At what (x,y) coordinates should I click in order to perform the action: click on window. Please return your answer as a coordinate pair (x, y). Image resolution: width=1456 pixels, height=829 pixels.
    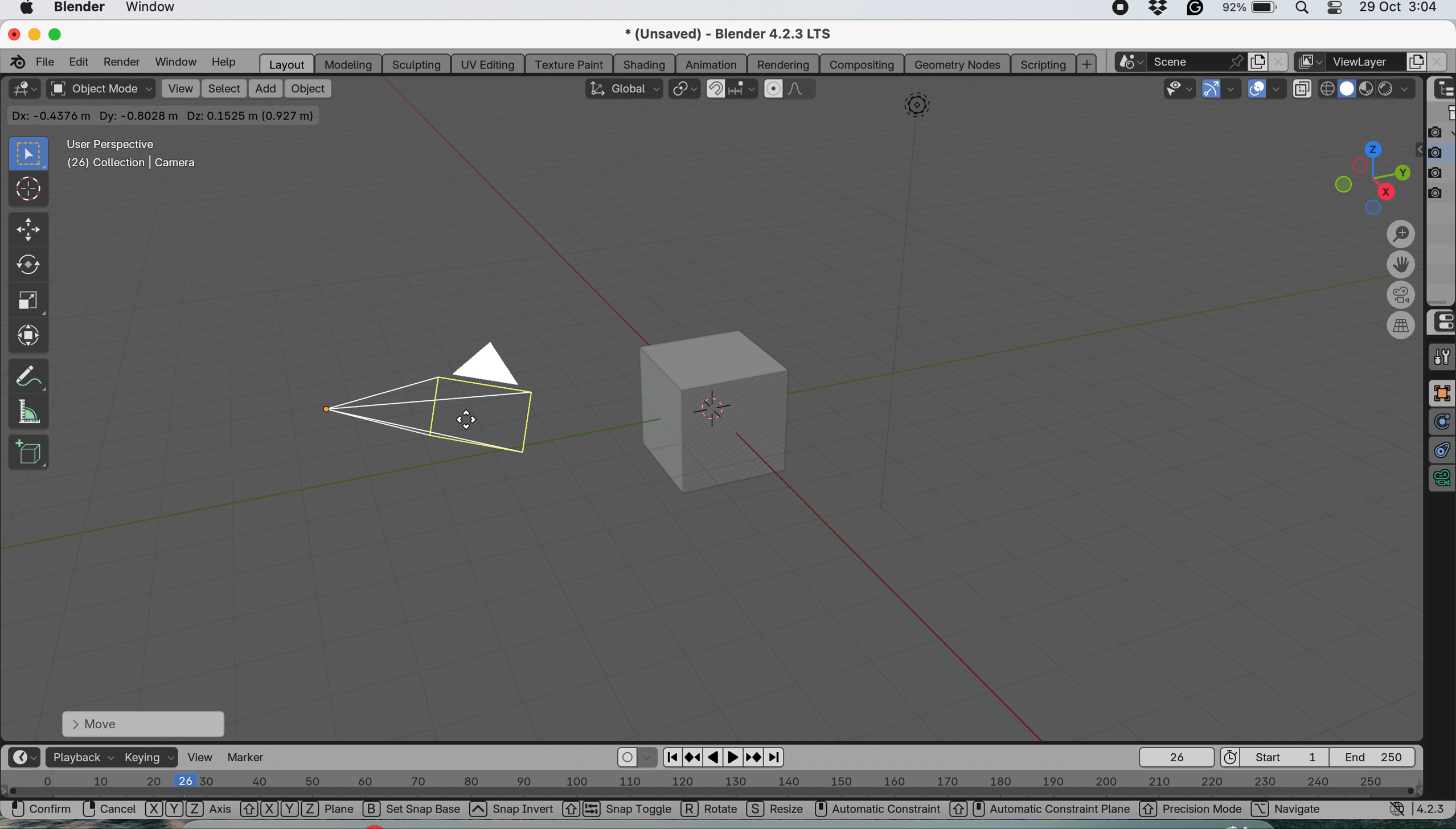
    Looking at the image, I should click on (174, 61).